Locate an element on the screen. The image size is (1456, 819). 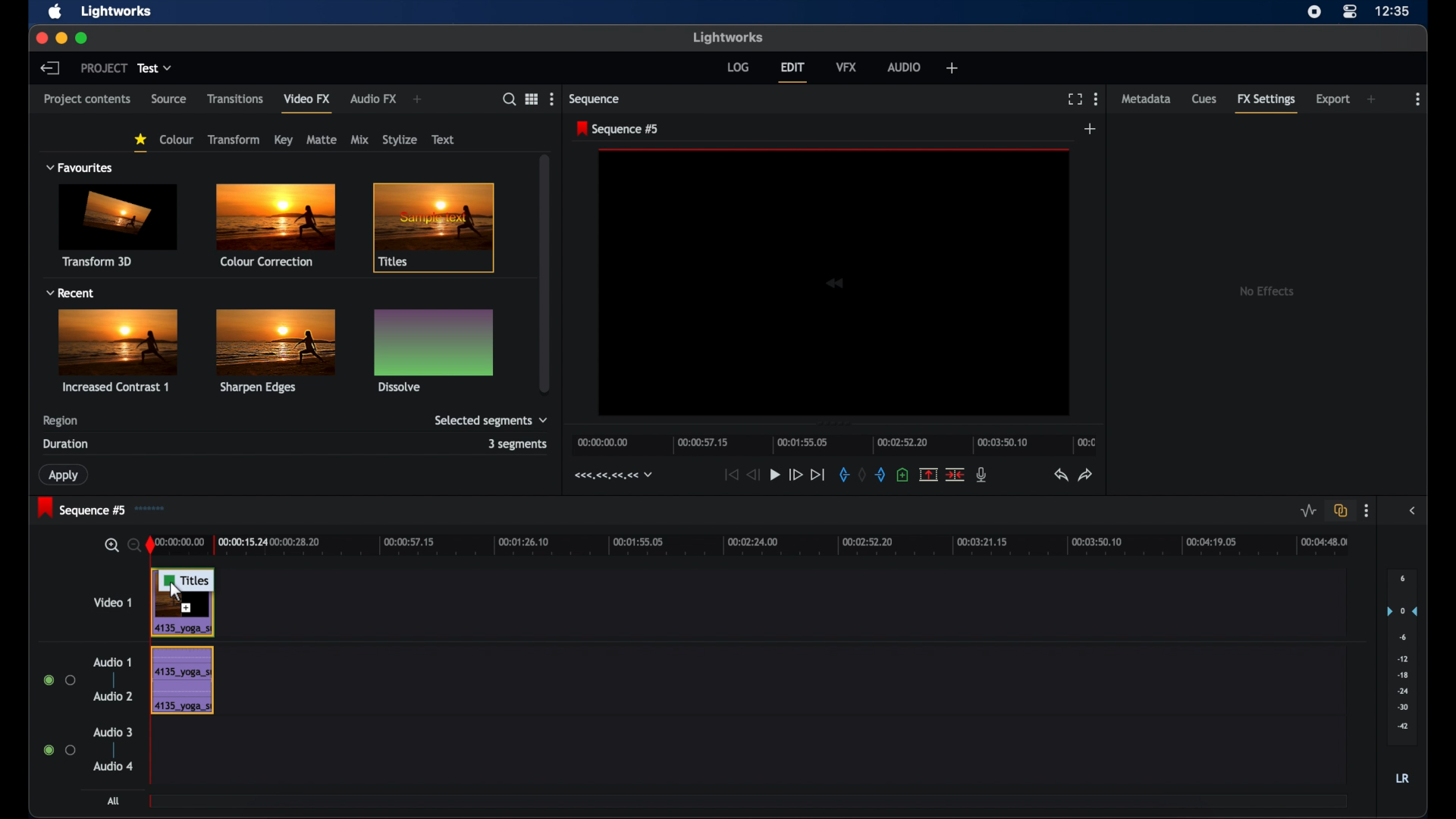
color corrections is located at coordinates (275, 226).